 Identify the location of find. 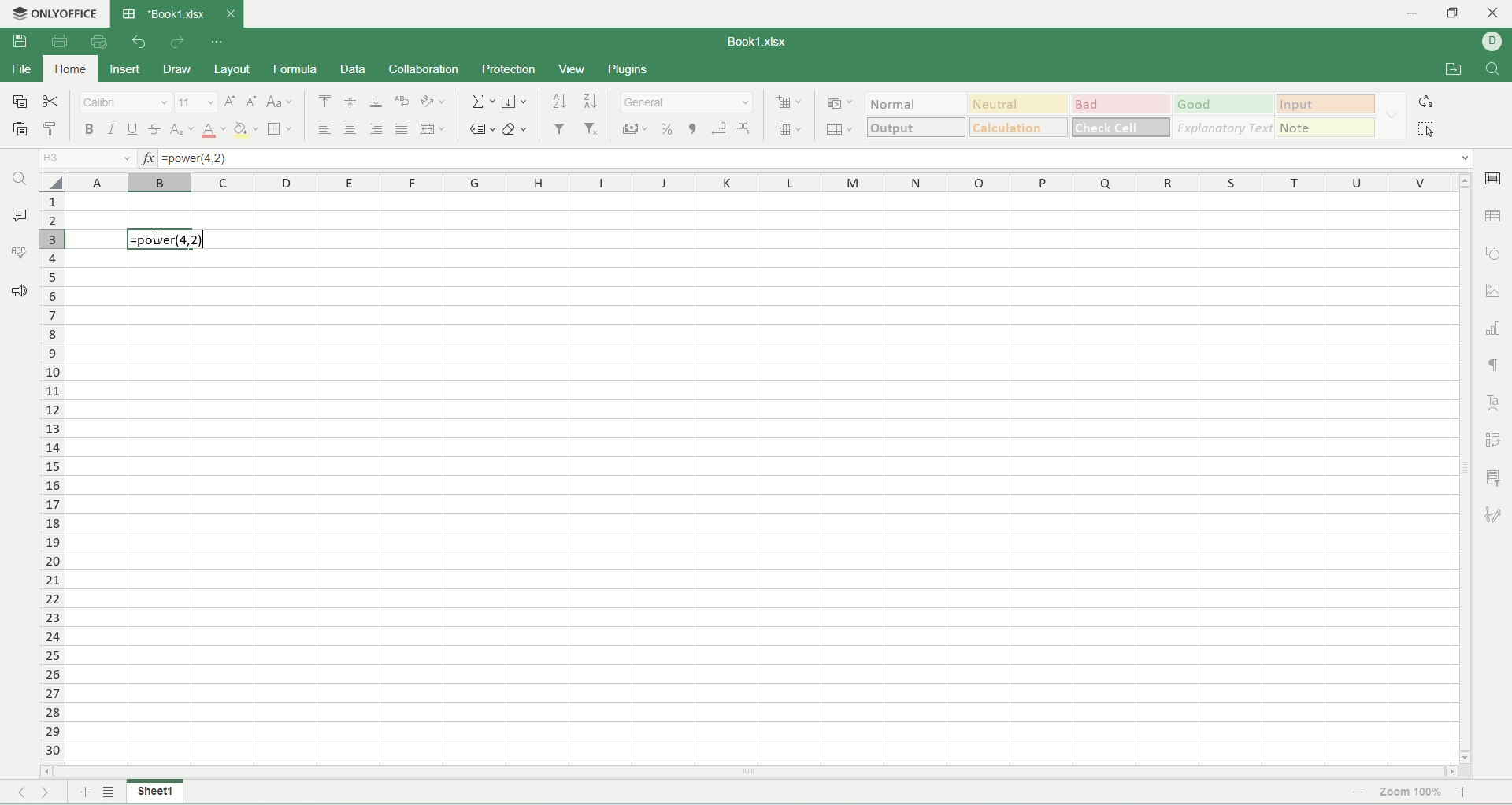
(1494, 70).